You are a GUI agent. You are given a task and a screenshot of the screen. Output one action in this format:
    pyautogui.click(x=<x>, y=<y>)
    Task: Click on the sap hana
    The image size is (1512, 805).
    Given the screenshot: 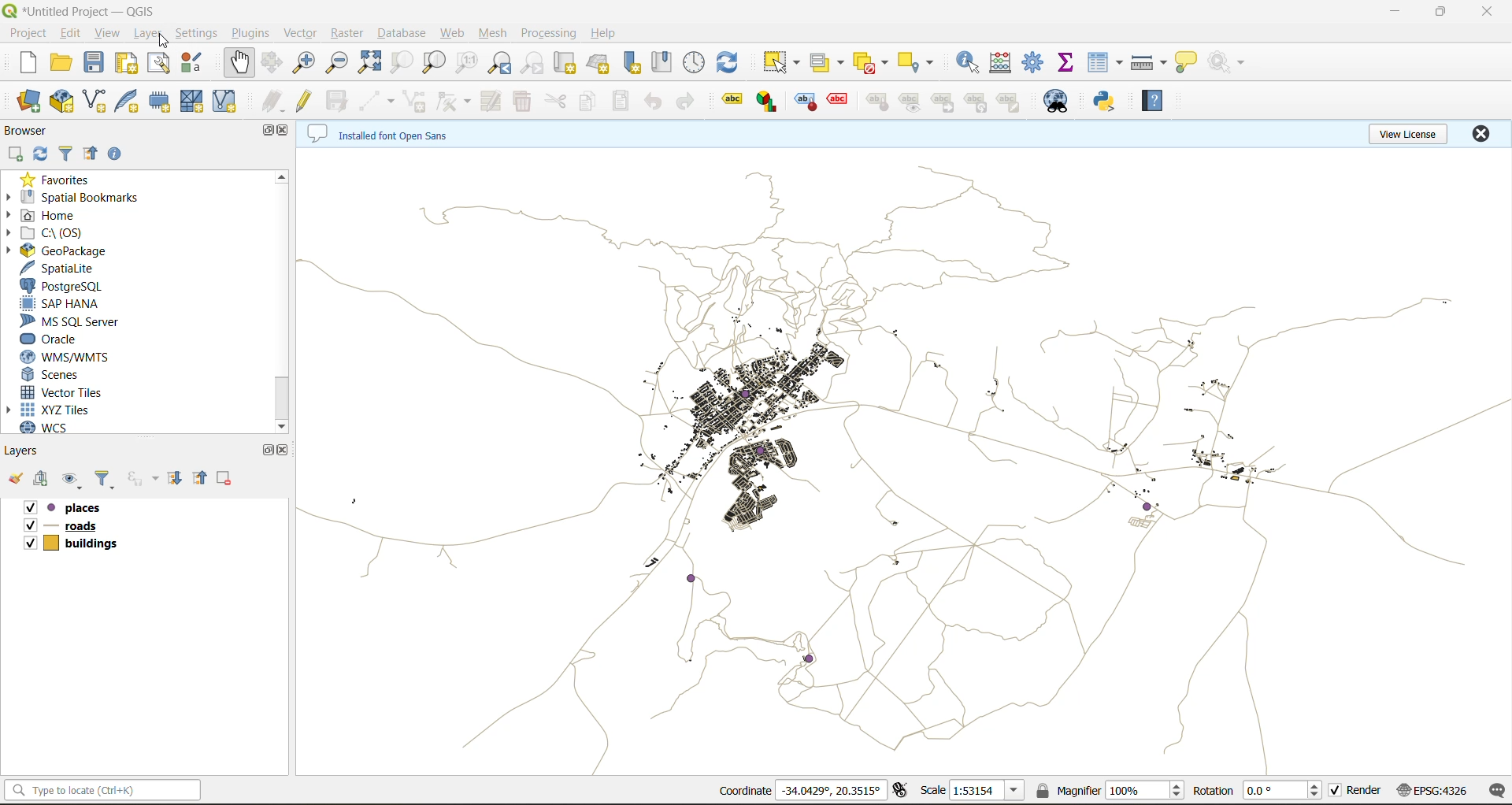 What is the action you would take?
    pyautogui.click(x=76, y=303)
    